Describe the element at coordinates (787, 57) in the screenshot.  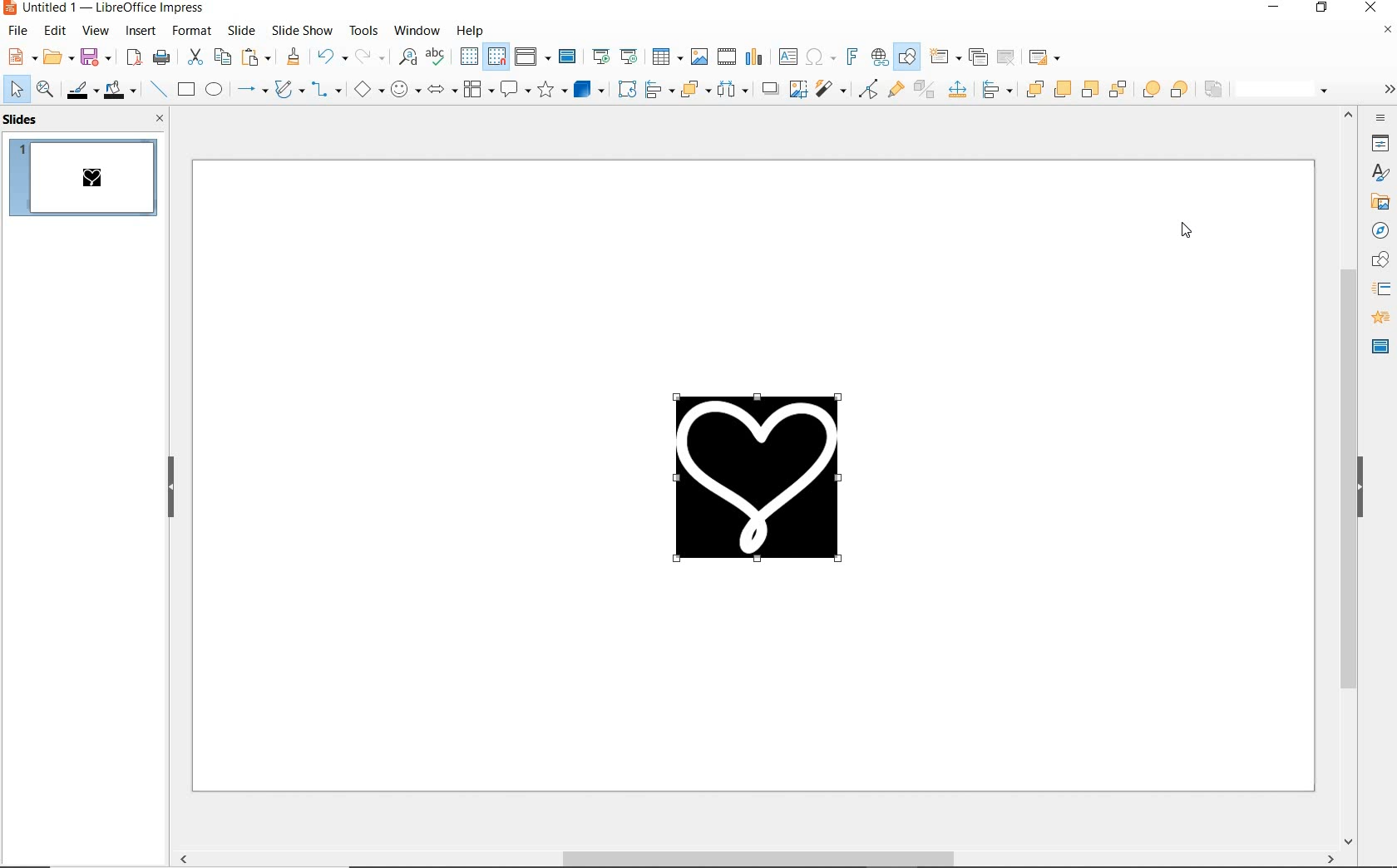
I see `insert text box` at that location.